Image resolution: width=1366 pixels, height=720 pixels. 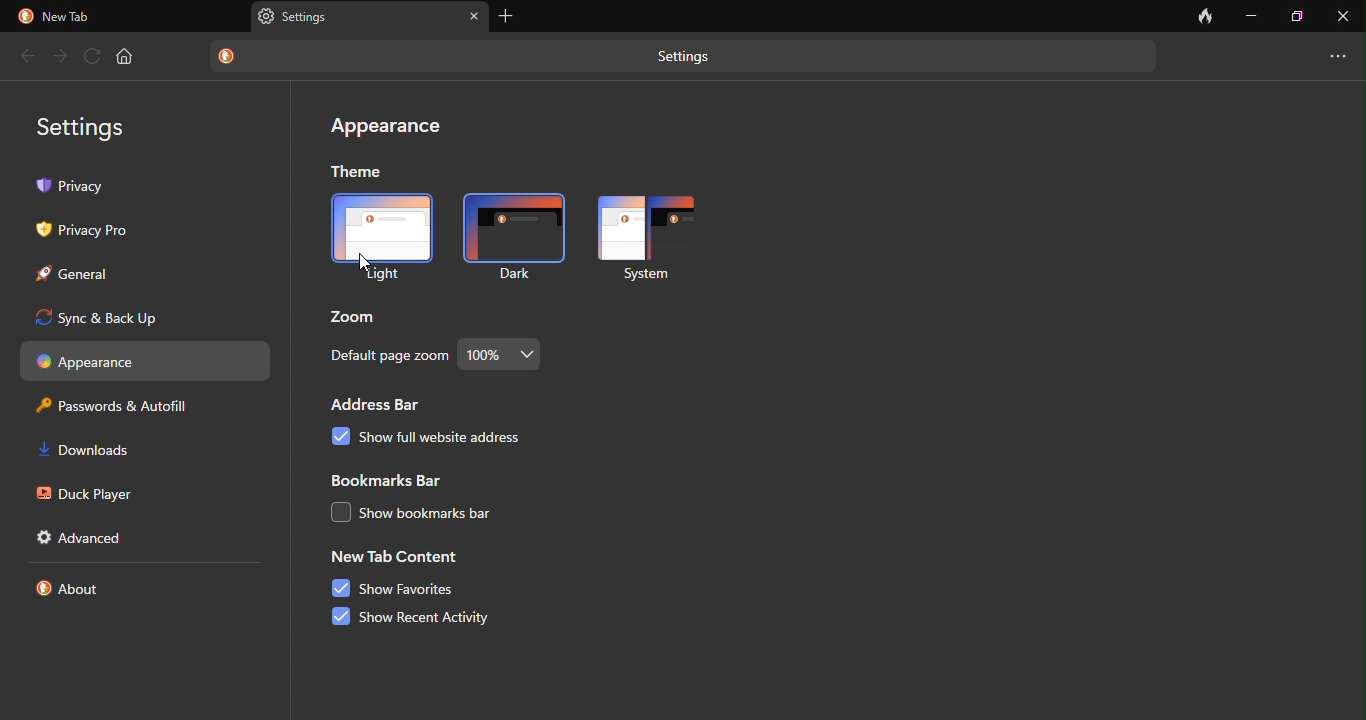 I want to click on default page zoom, so click(x=387, y=357).